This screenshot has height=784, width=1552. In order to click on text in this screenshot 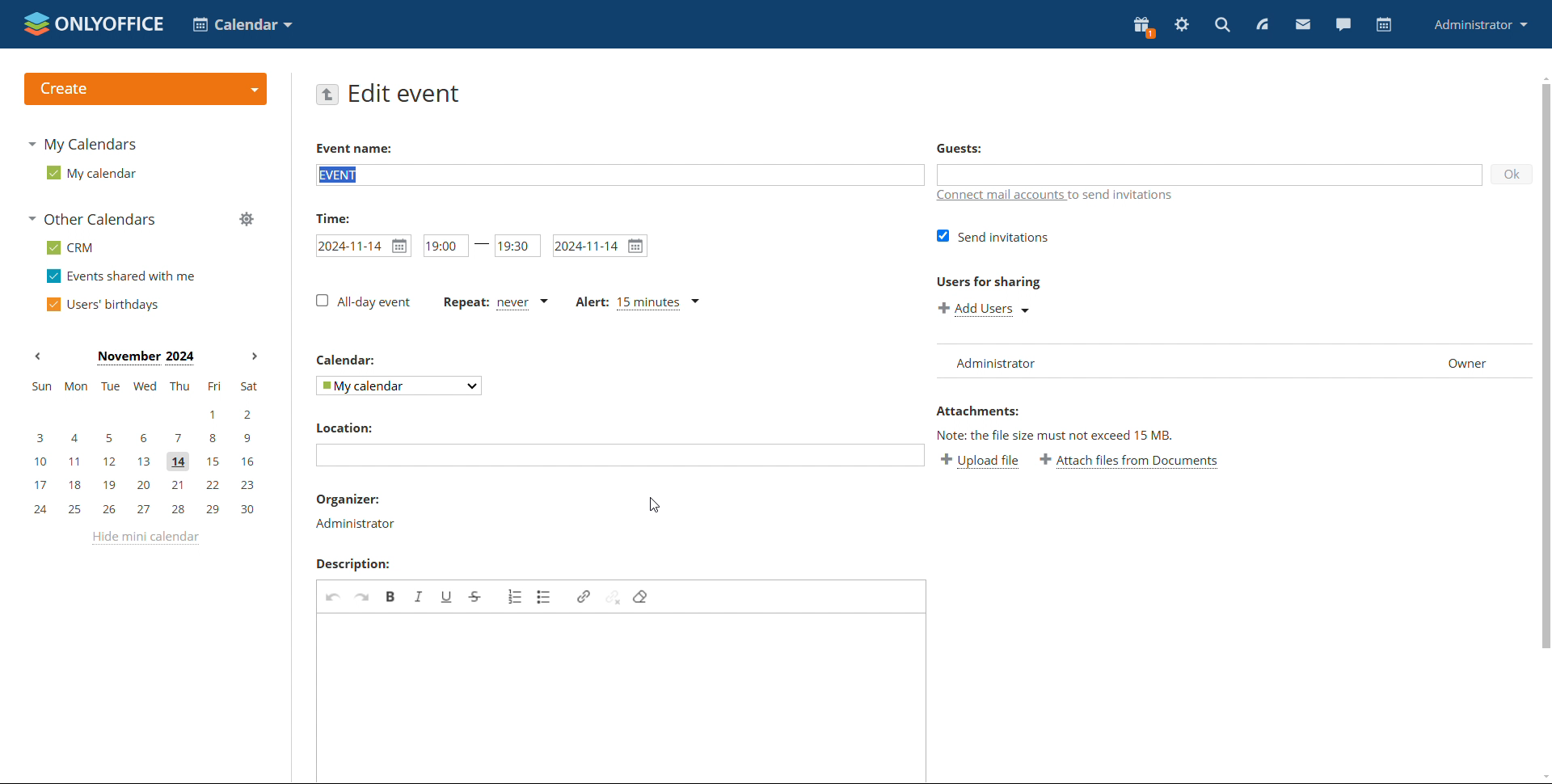, I will do `click(1061, 436)`.